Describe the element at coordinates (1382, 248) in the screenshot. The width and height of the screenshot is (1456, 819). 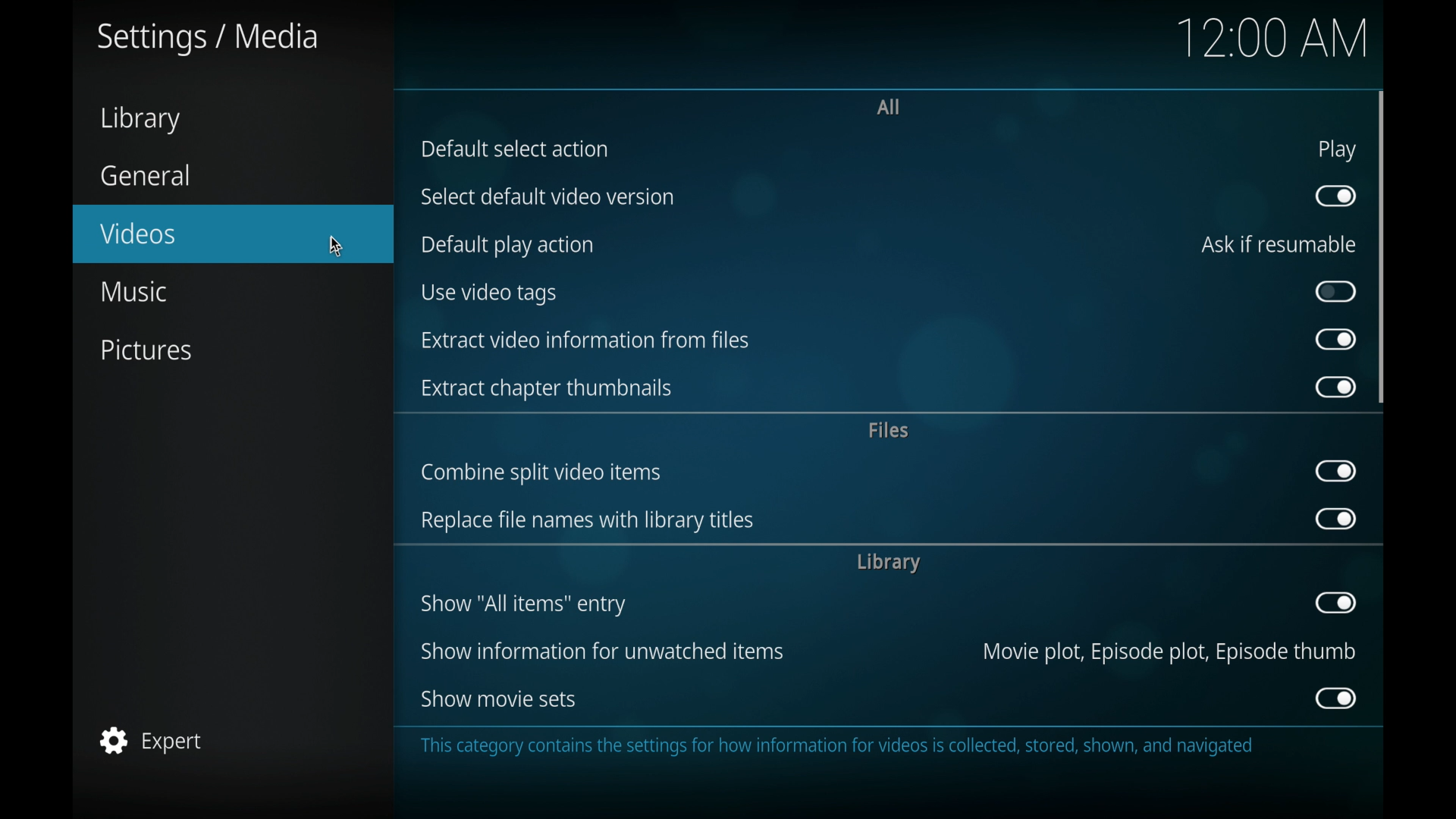
I see `scroll box` at that location.